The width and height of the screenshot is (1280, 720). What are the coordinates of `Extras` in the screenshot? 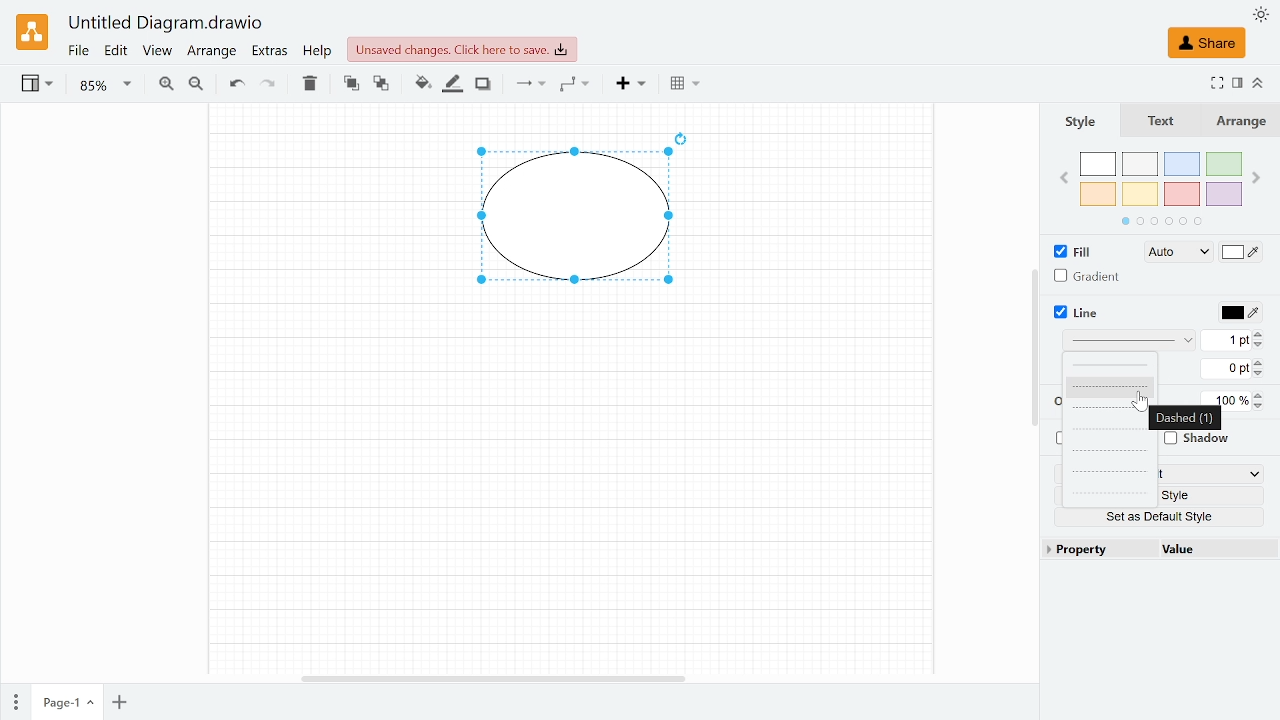 It's located at (270, 52).